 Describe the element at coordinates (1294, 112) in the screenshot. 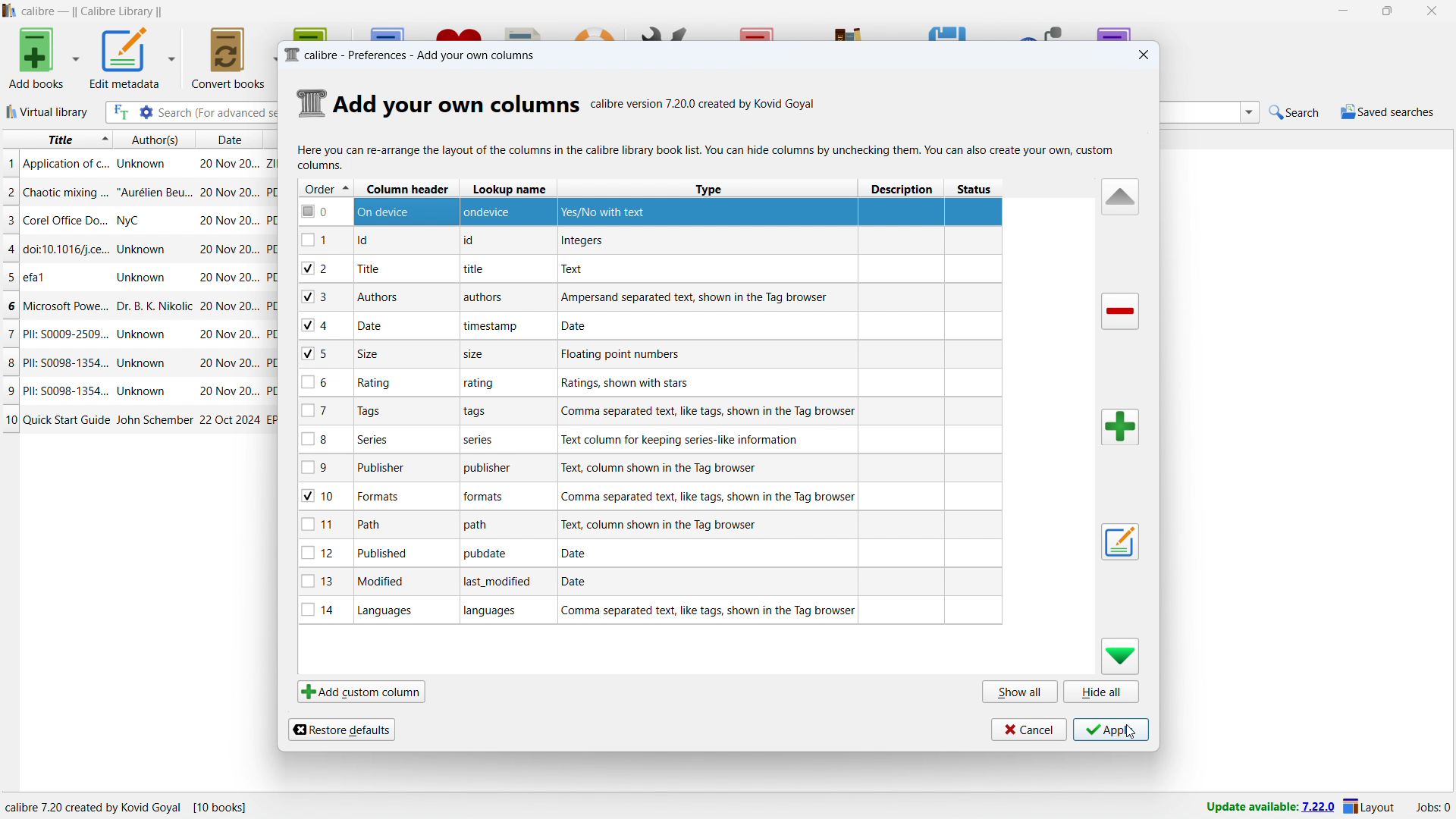

I see `quick search` at that location.